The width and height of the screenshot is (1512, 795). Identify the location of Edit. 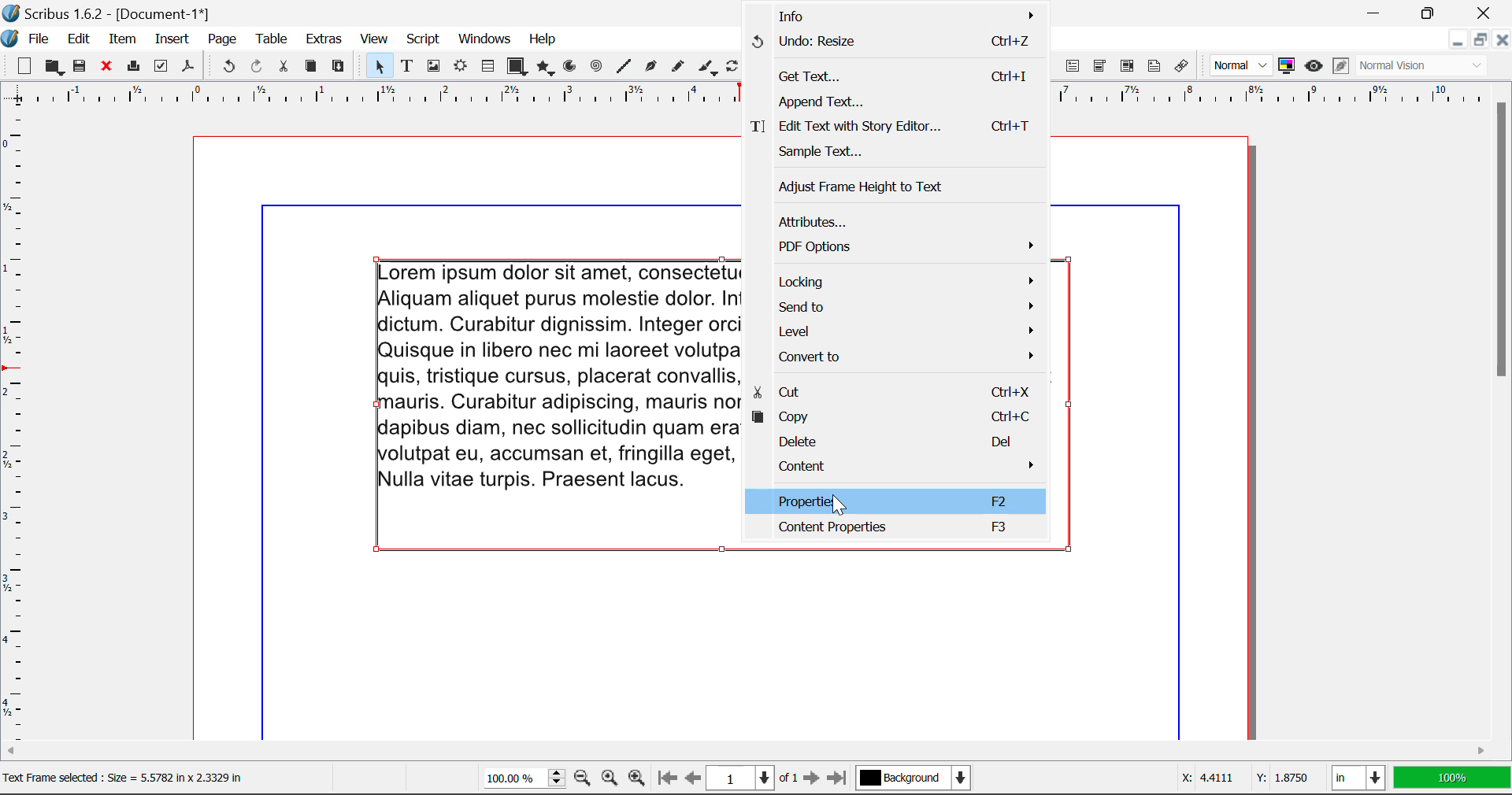
(81, 39).